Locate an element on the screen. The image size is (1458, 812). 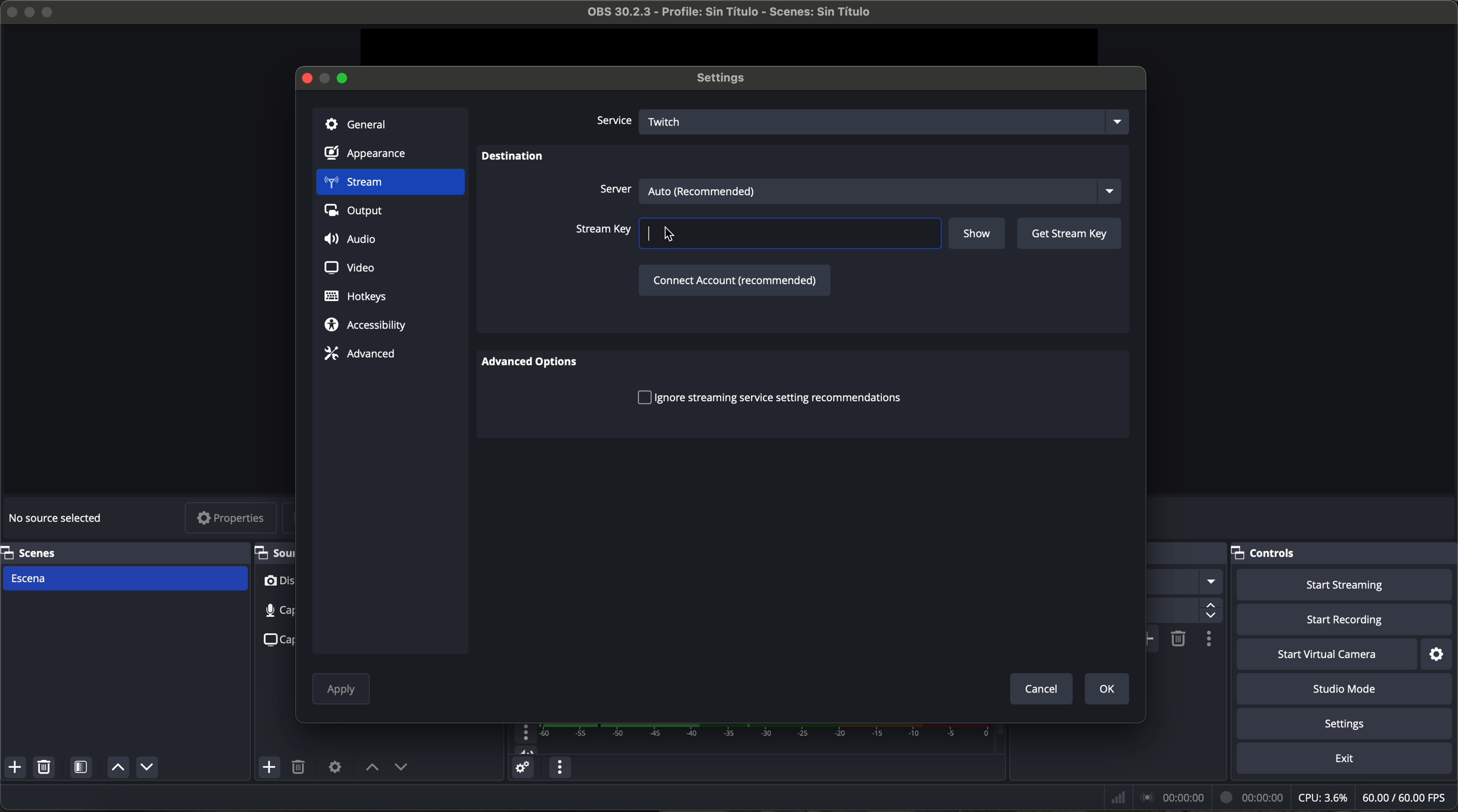
add sources is located at coordinates (271, 768).